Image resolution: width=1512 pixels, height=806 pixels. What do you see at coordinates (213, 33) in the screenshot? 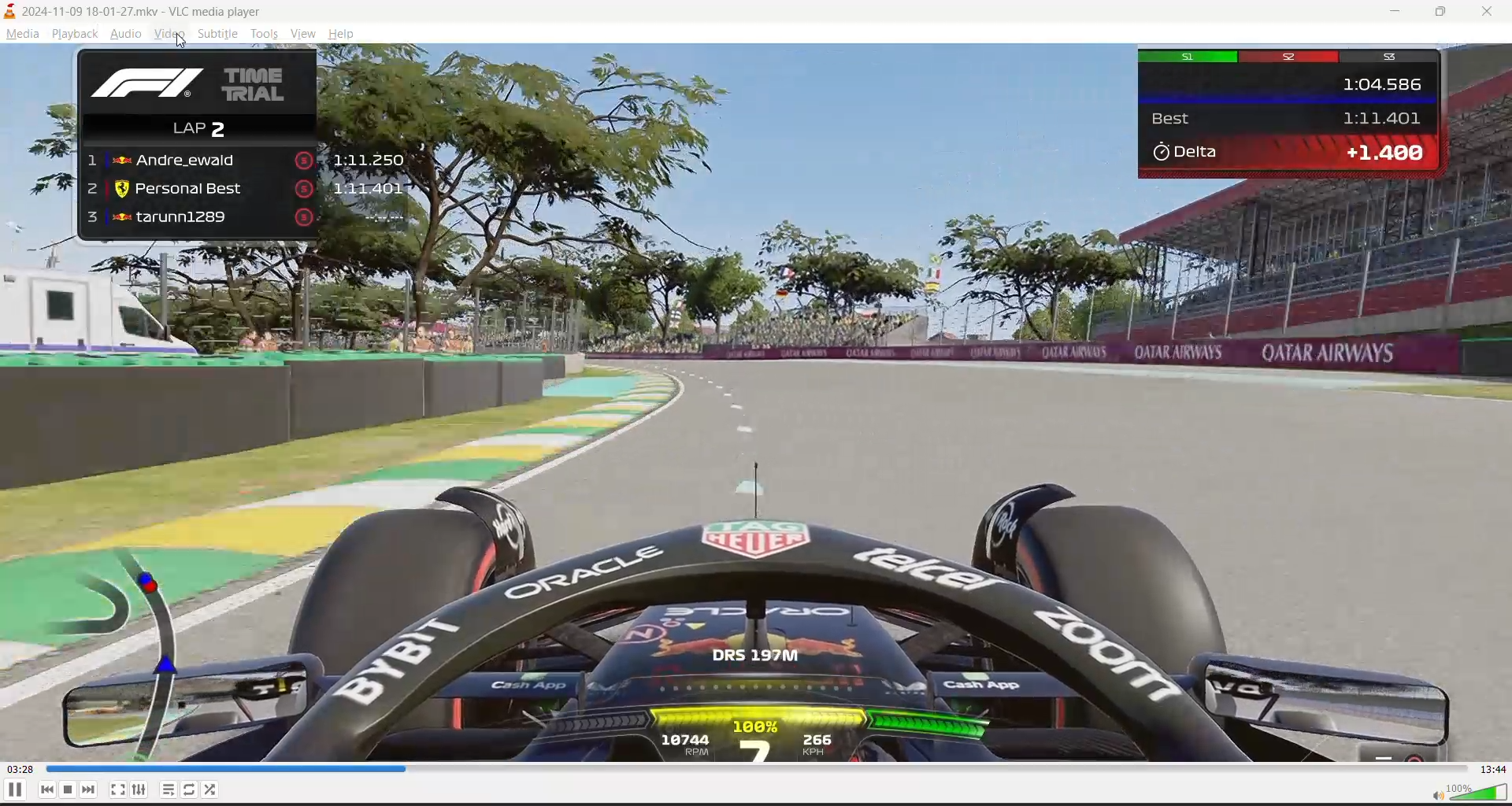
I see `subtitle` at bounding box center [213, 33].